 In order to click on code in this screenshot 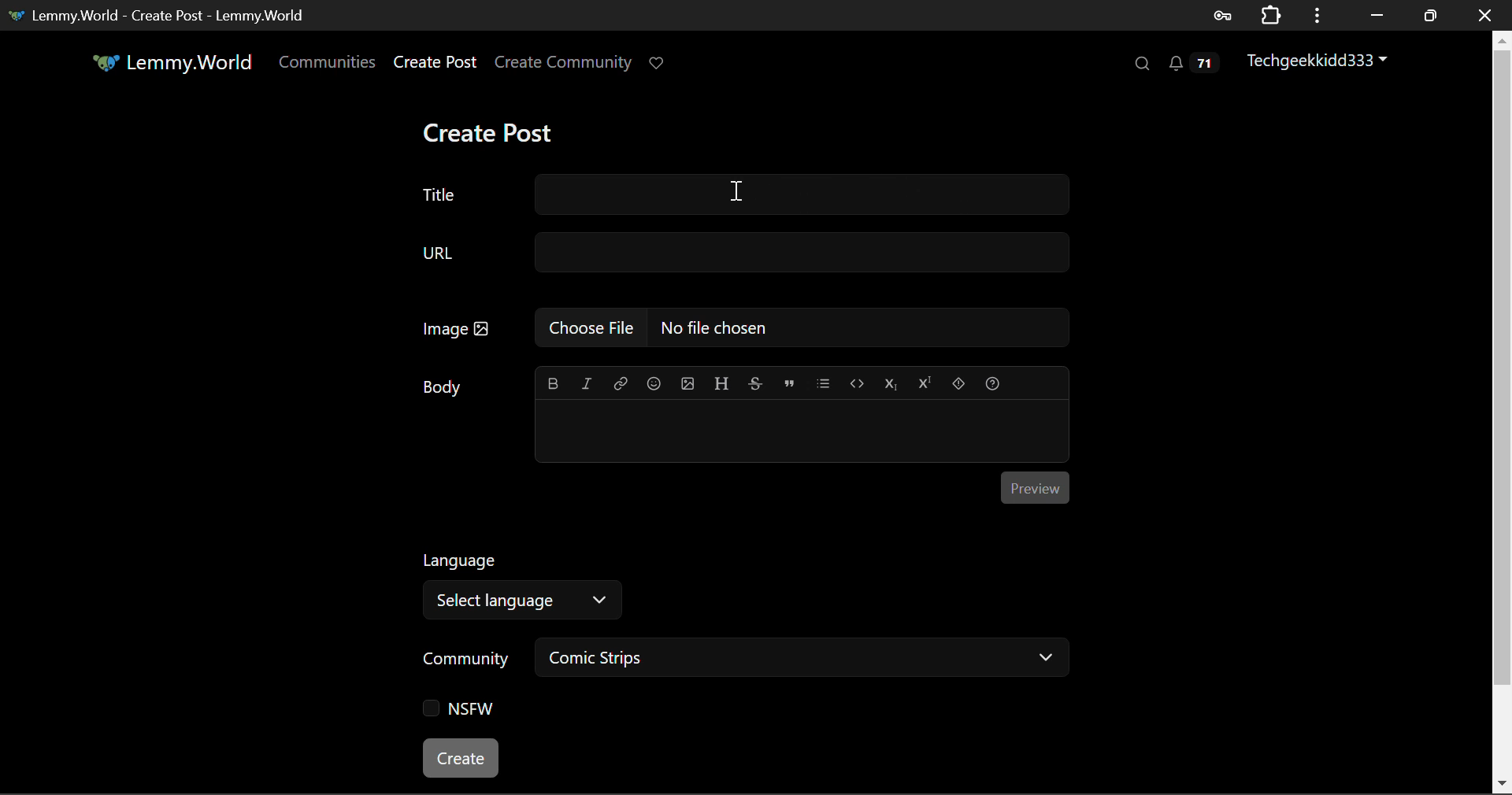, I will do `click(855, 381)`.